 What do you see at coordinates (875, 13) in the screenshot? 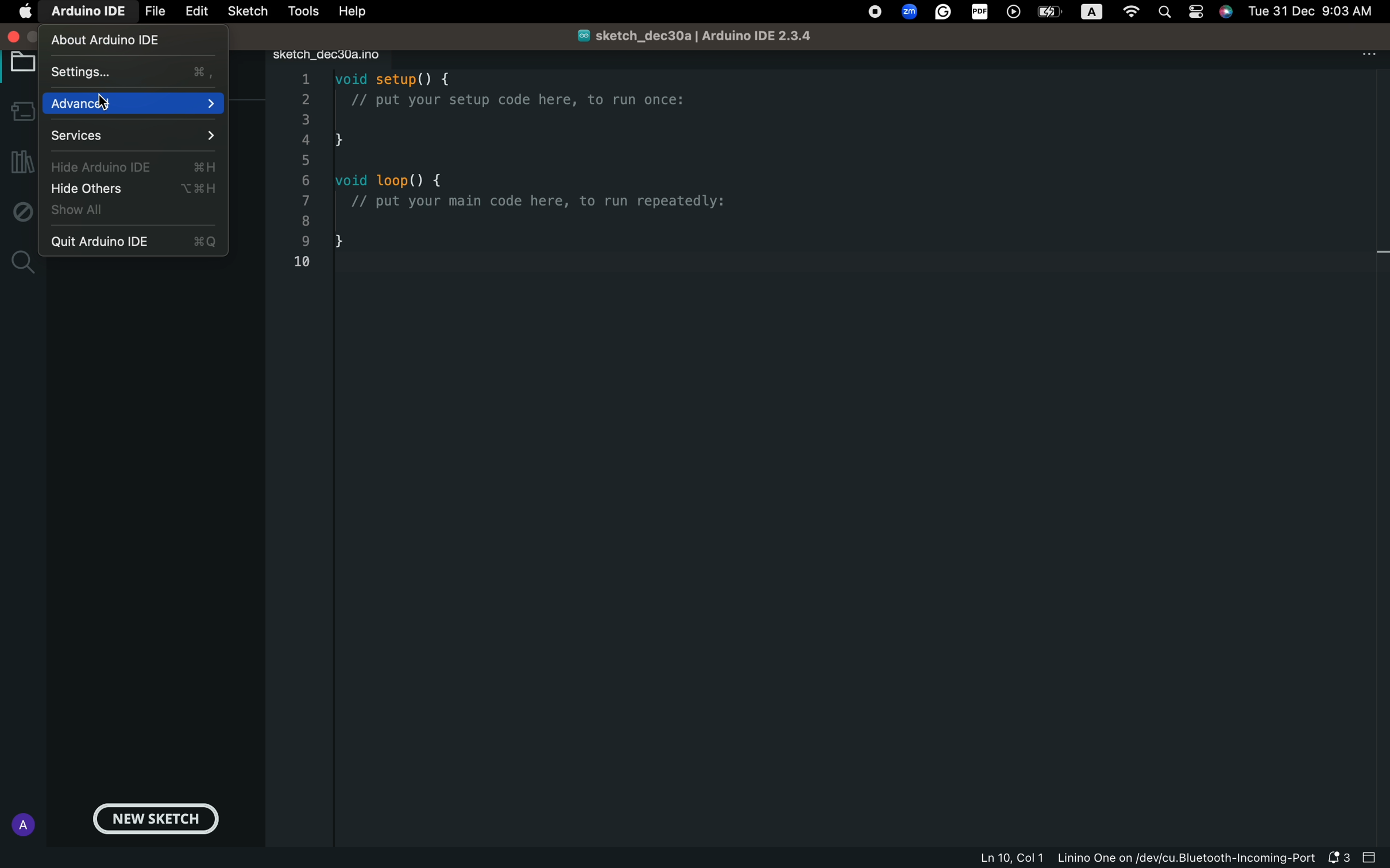
I see `OS control` at bounding box center [875, 13].